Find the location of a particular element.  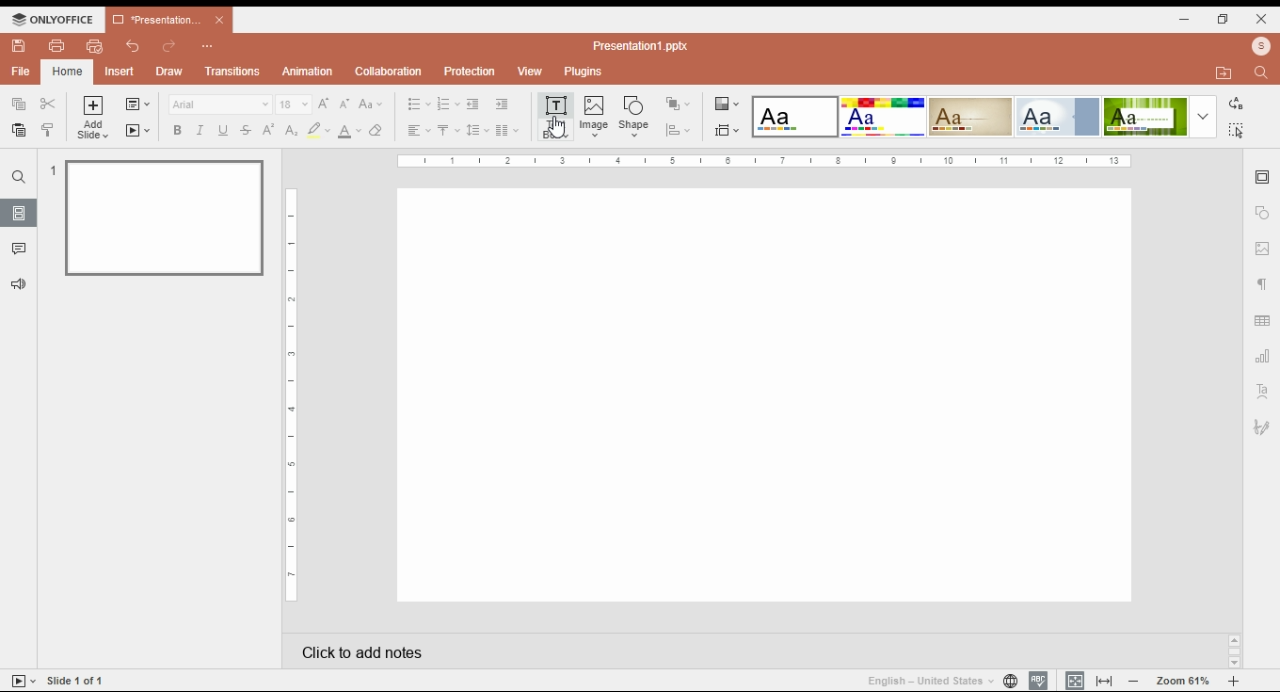

font size is located at coordinates (293, 104).